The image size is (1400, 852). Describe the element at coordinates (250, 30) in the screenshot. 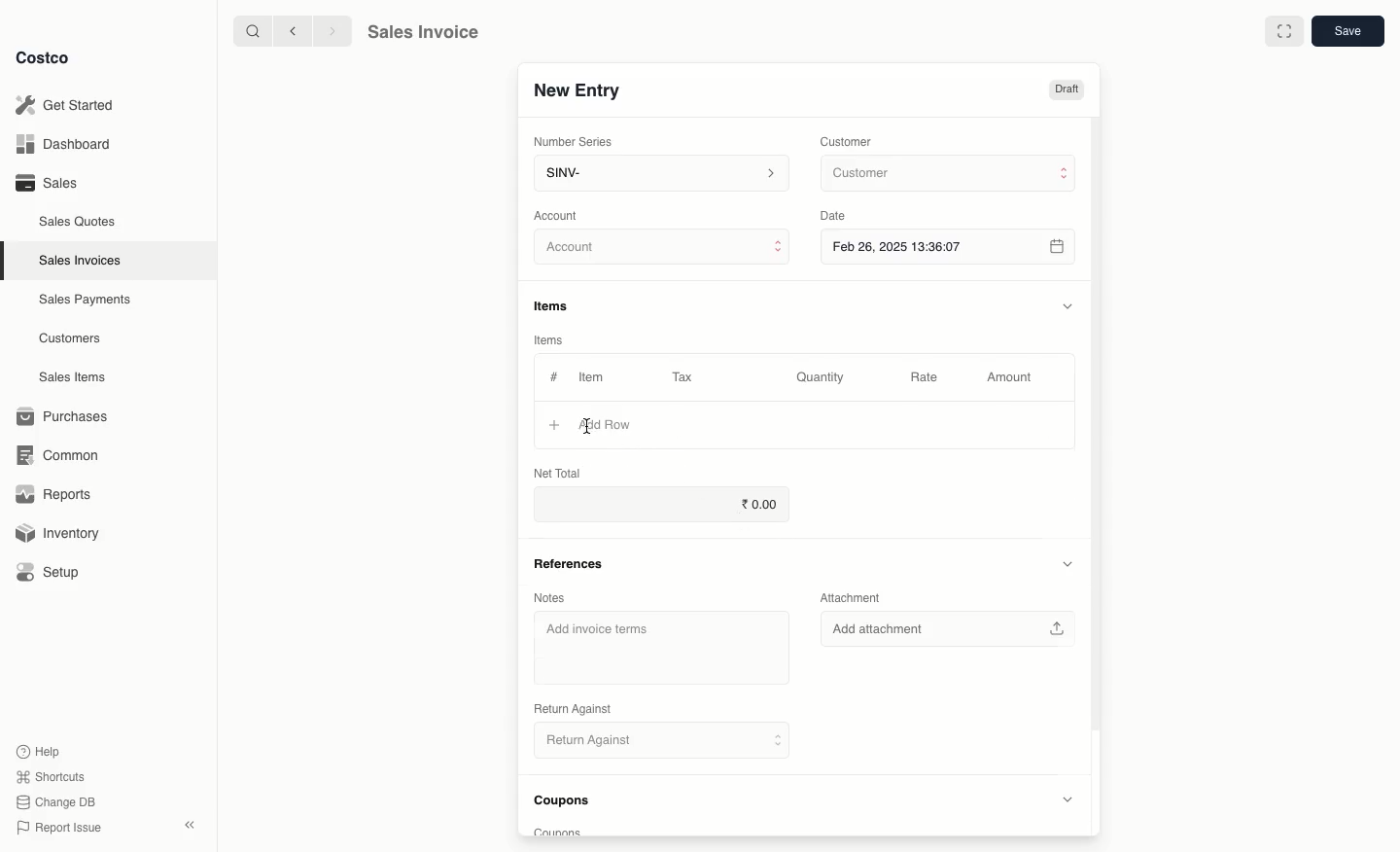

I see `Search` at that location.